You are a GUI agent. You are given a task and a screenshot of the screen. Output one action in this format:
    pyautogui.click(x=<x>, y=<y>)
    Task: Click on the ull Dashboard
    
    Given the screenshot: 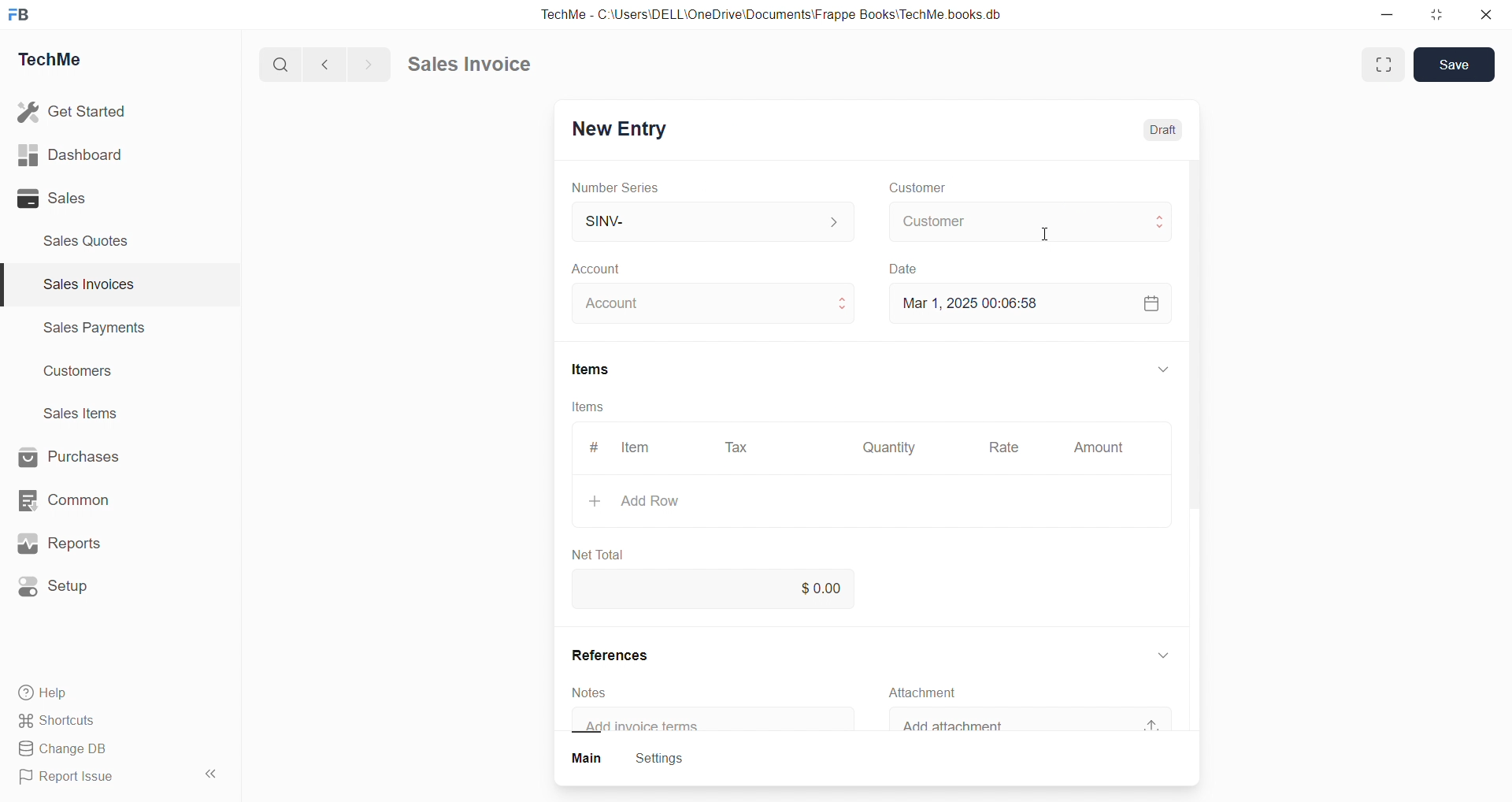 What is the action you would take?
    pyautogui.click(x=78, y=154)
    